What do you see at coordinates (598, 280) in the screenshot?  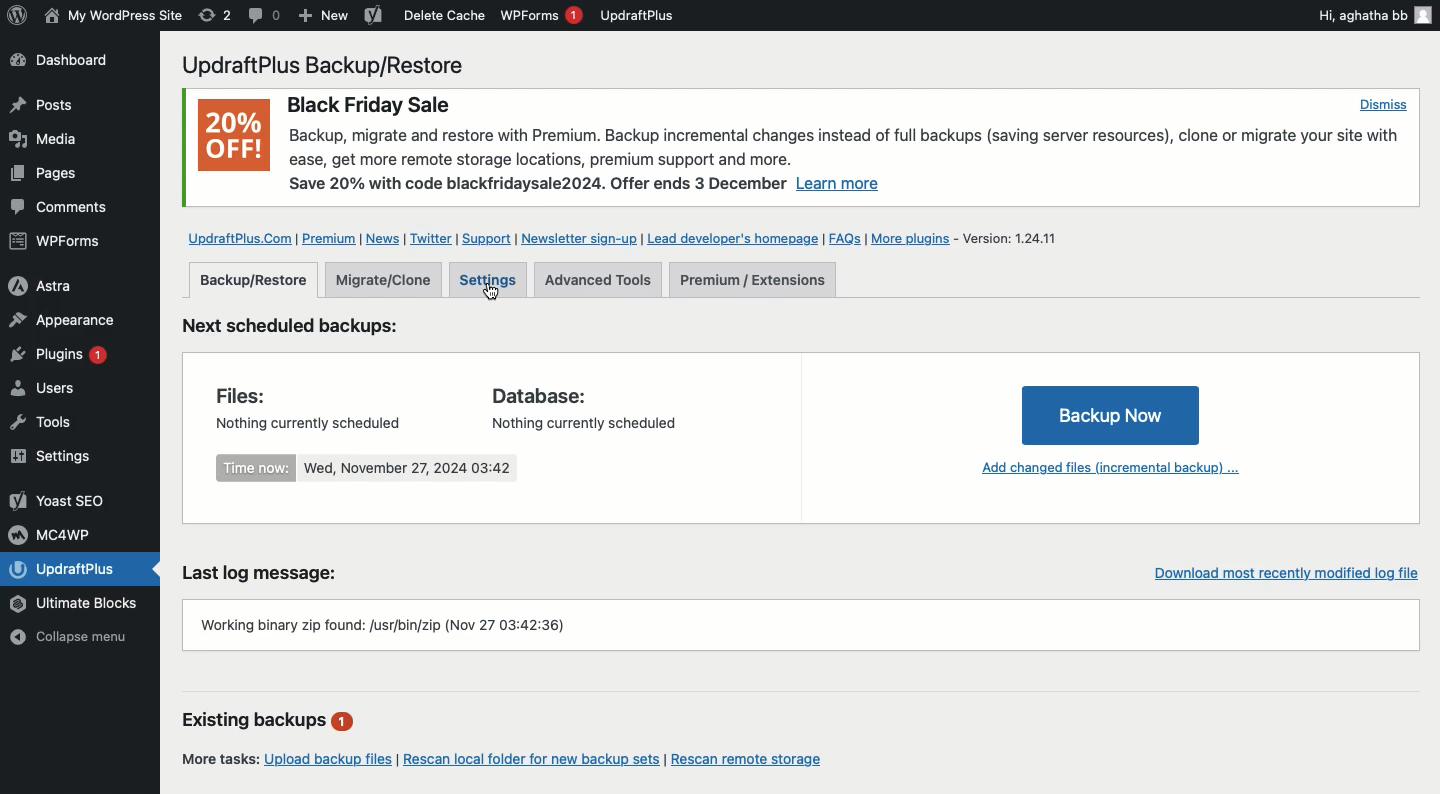 I see `Advanced tools` at bounding box center [598, 280].